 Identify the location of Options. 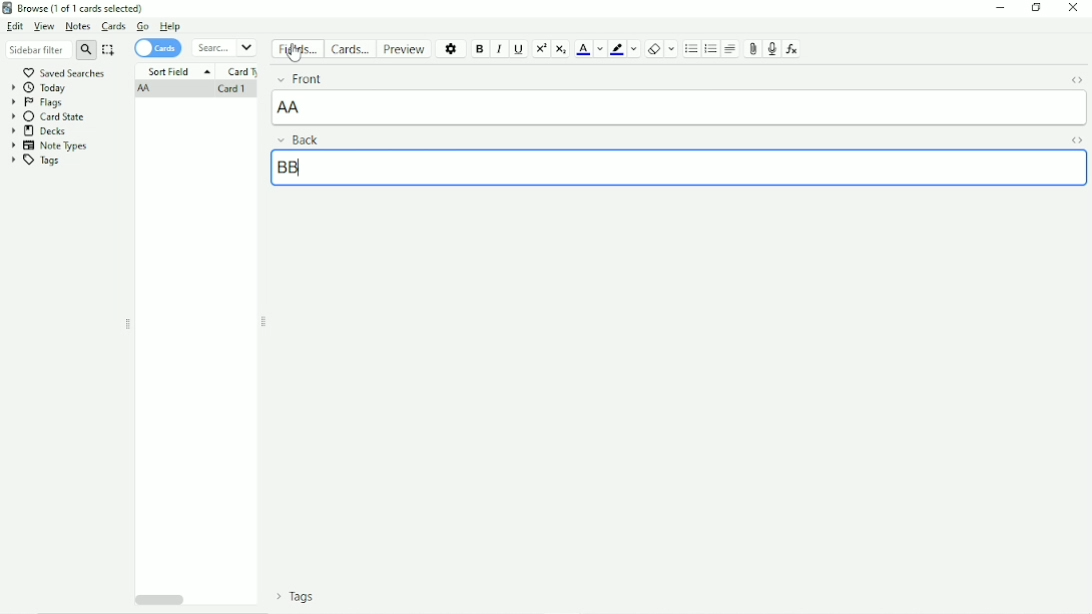
(452, 48).